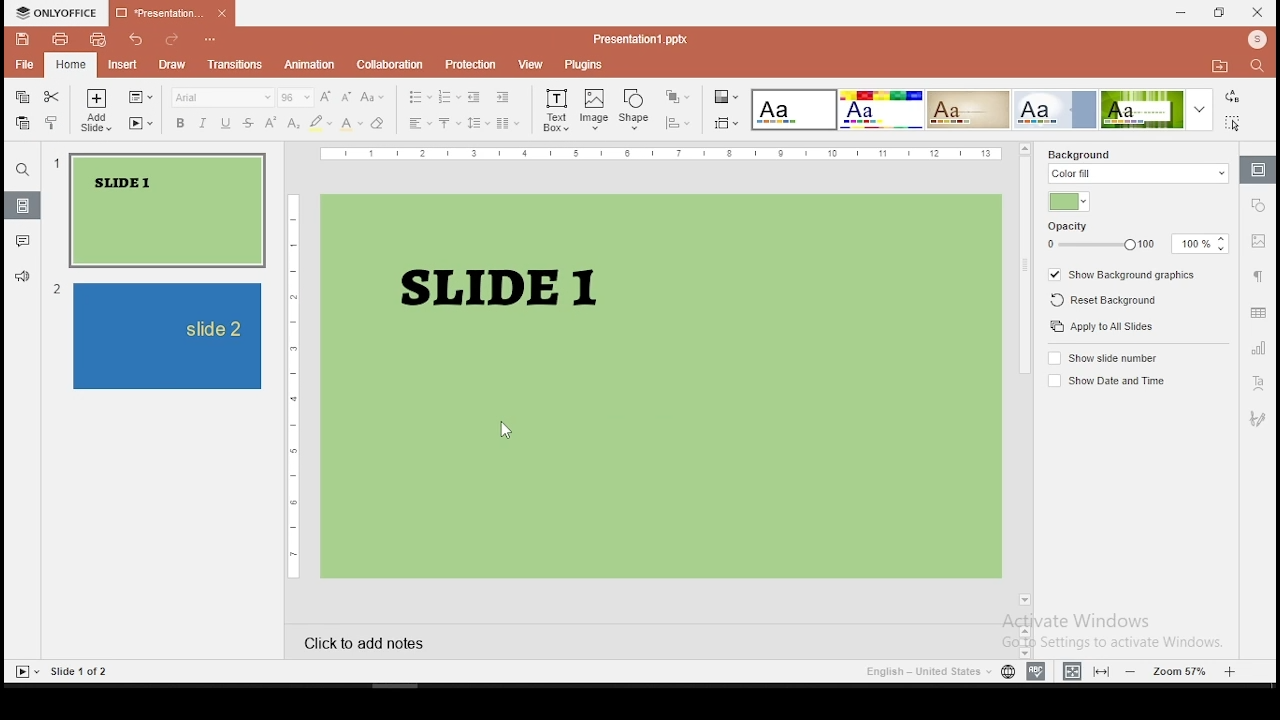  Describe the element at coordinates (1104, 300) in the screenshot. I see `reset background` at that location.